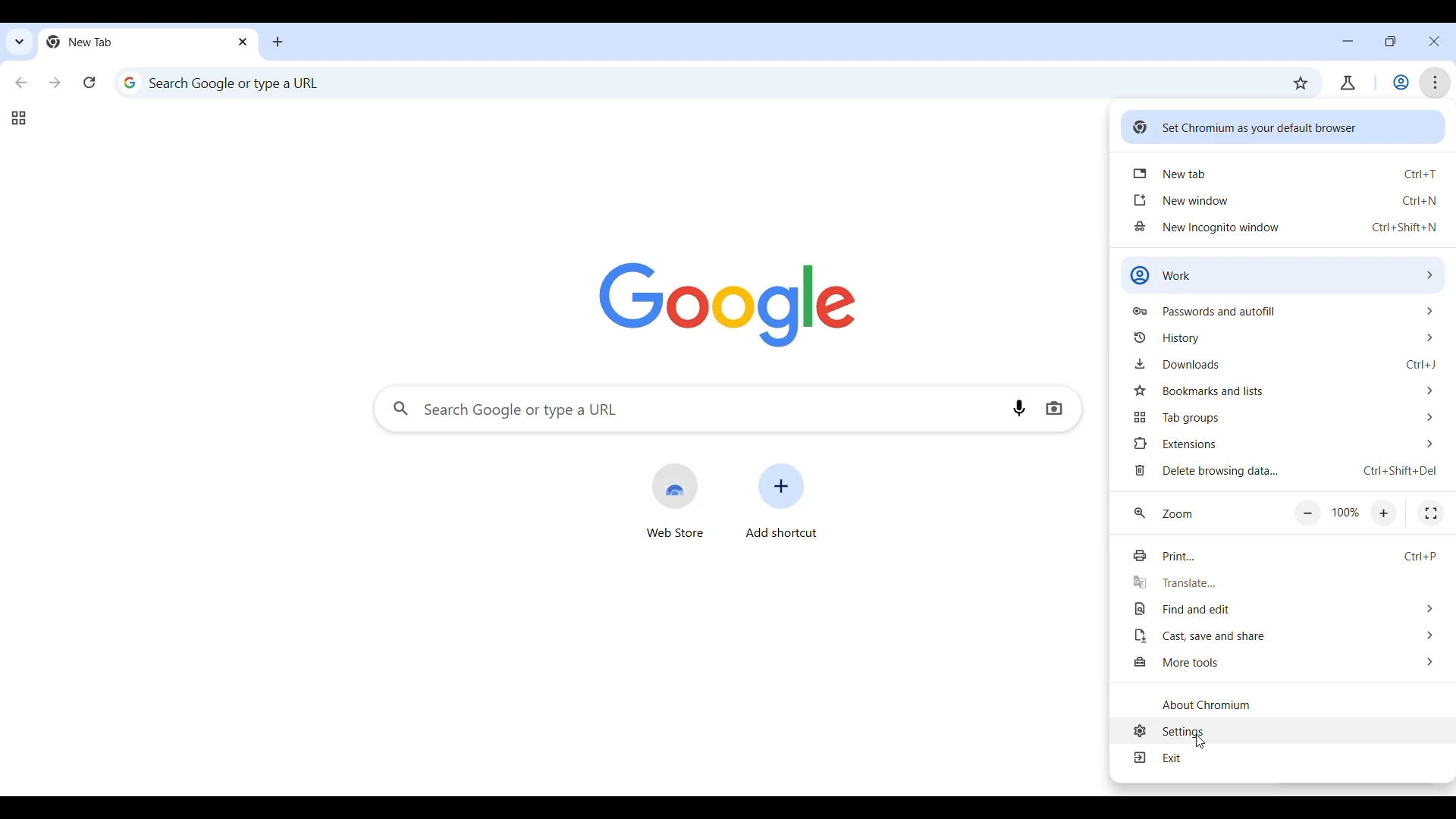  What do you see at coordinates (682, 409) in the screenshot?
I see `Search Google or enter web link` at bounding box center [682, 409].